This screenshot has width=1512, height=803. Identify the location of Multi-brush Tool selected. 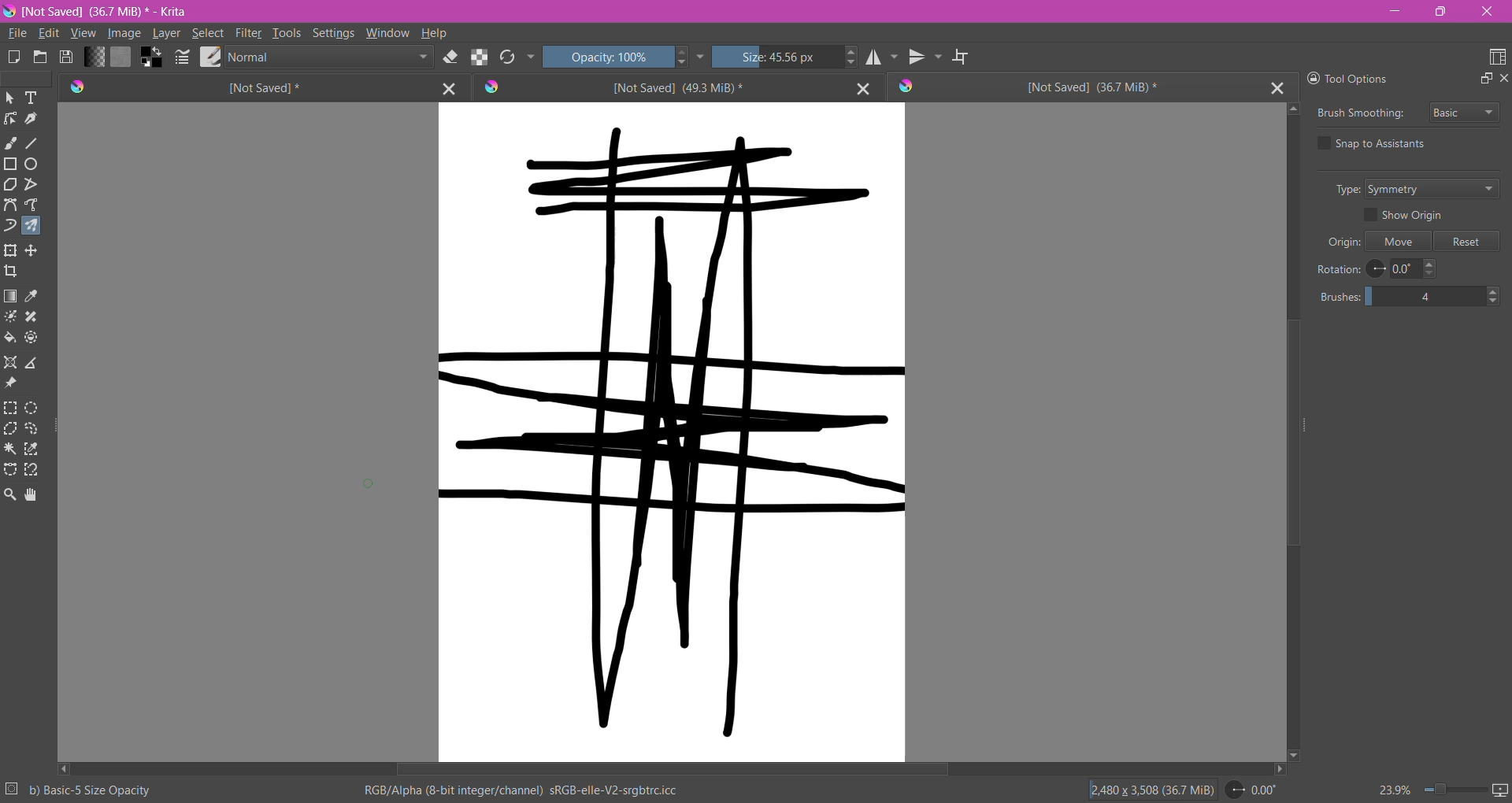
(29, 227).